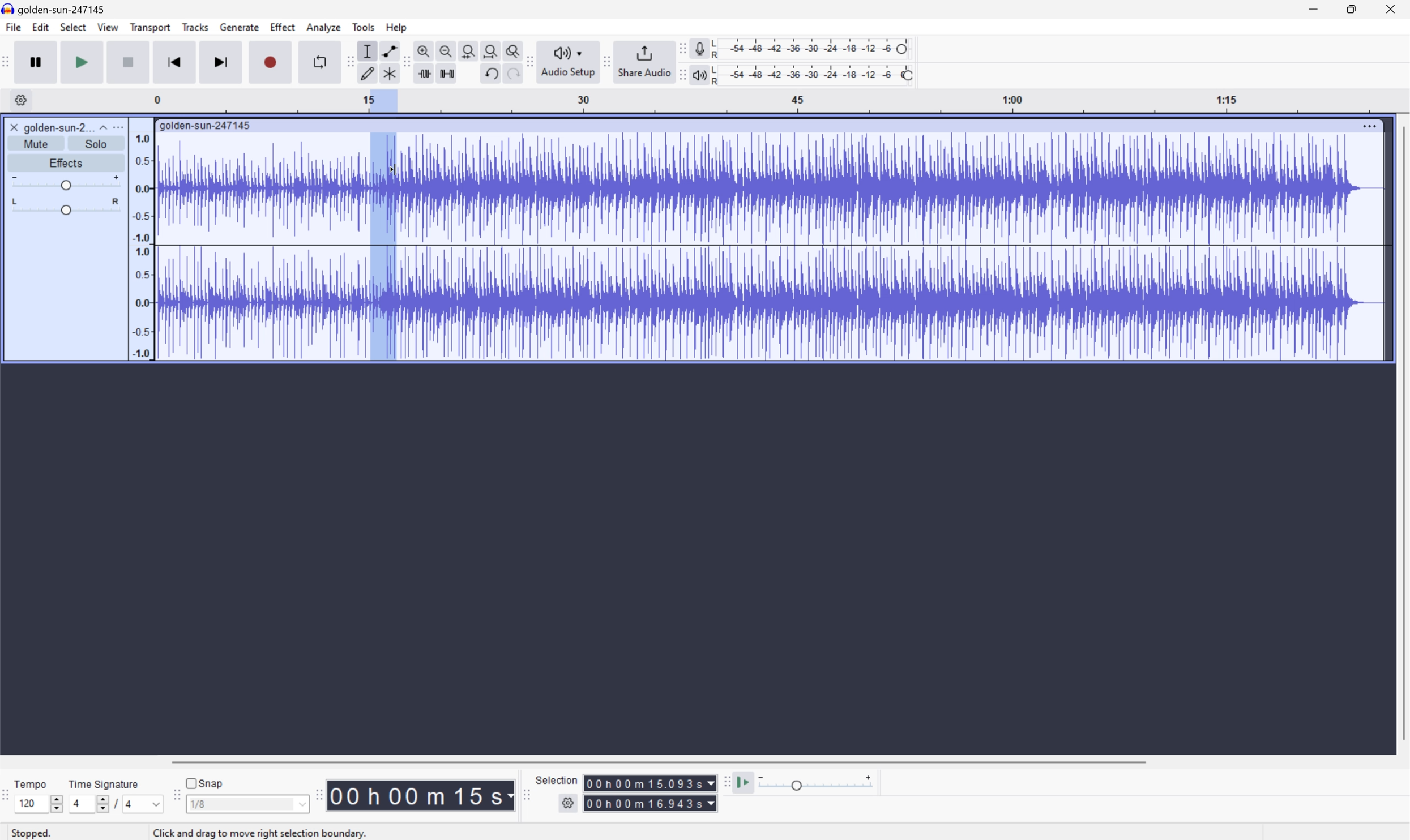 The height and width of the screenshot is (840, 1410). Describe the element at coordinates (27, 803) in the screenshot. I see `120` at that location.